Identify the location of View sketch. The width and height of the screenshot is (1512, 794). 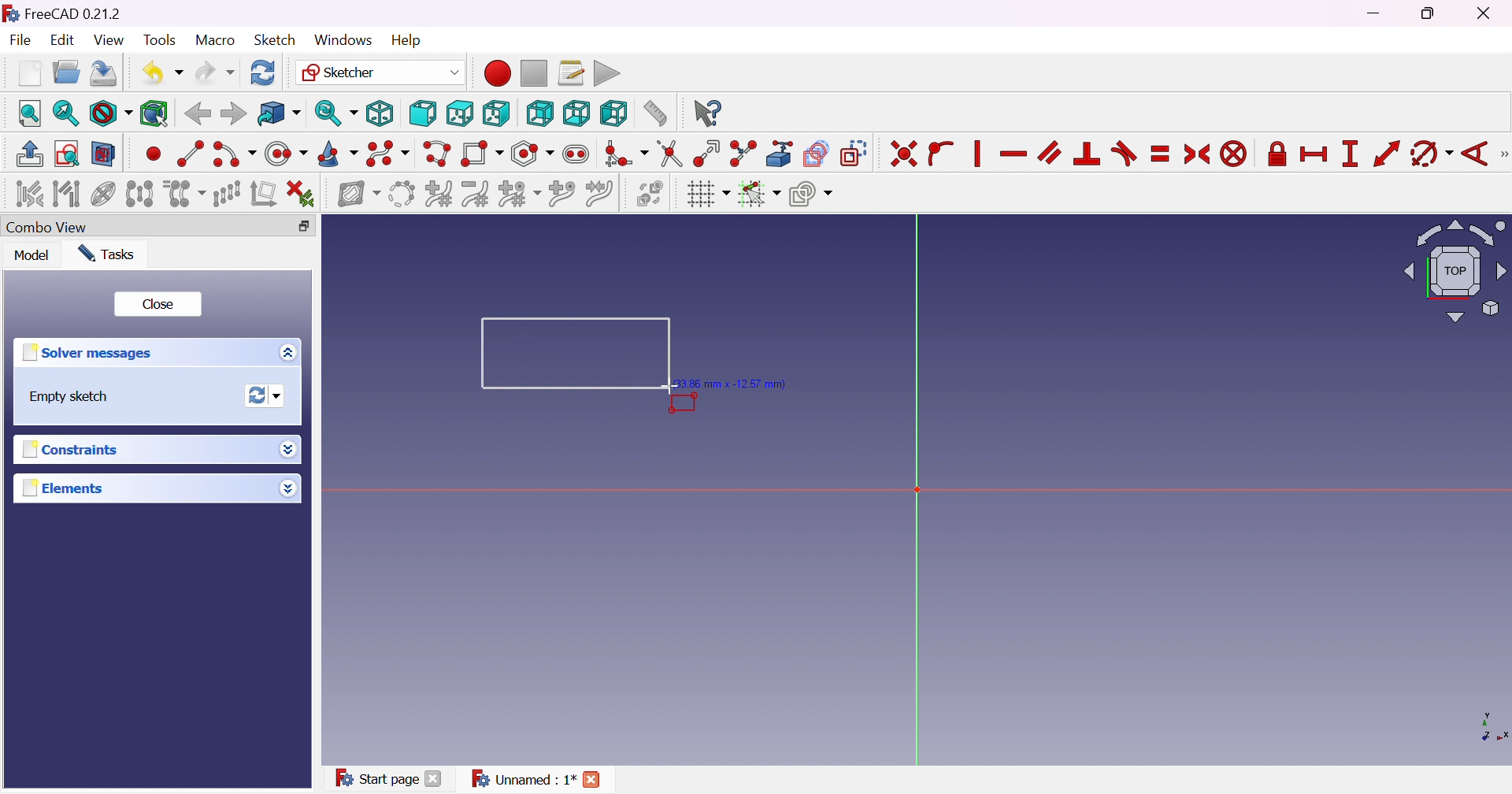
(66, 154).